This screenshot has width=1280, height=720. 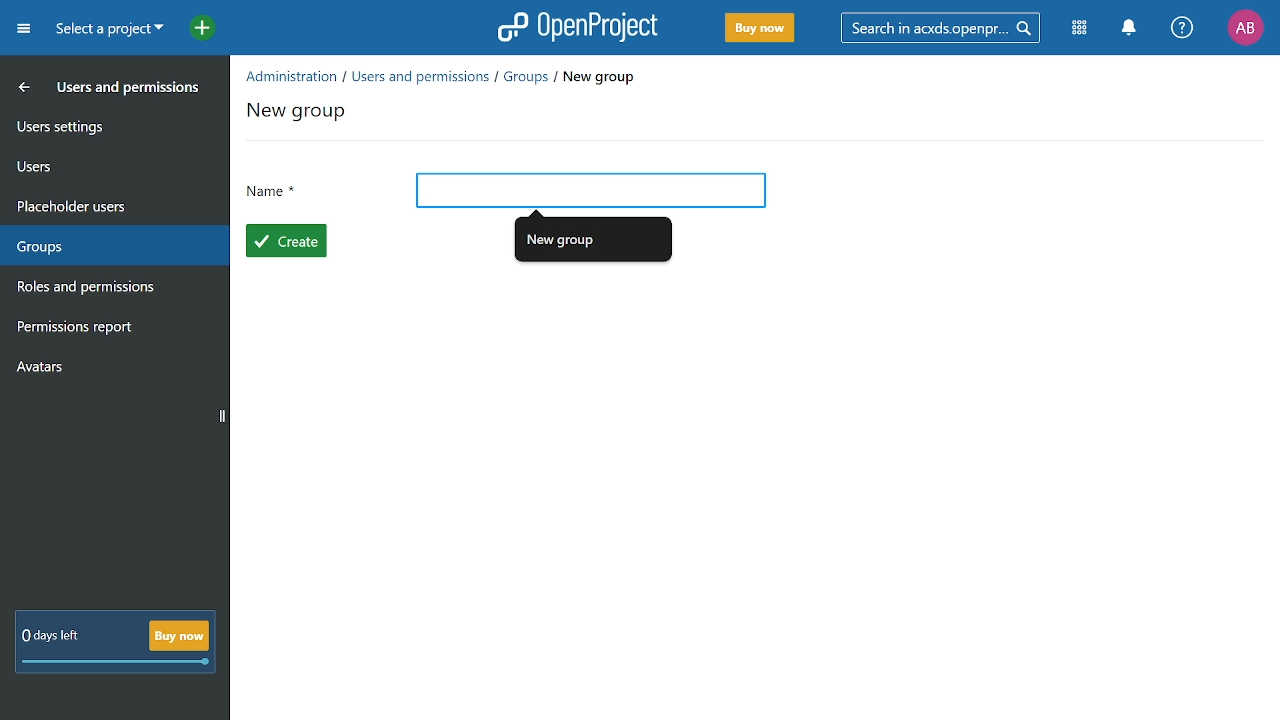 I want to click on Days left in scale, so click(x=117, y=663).